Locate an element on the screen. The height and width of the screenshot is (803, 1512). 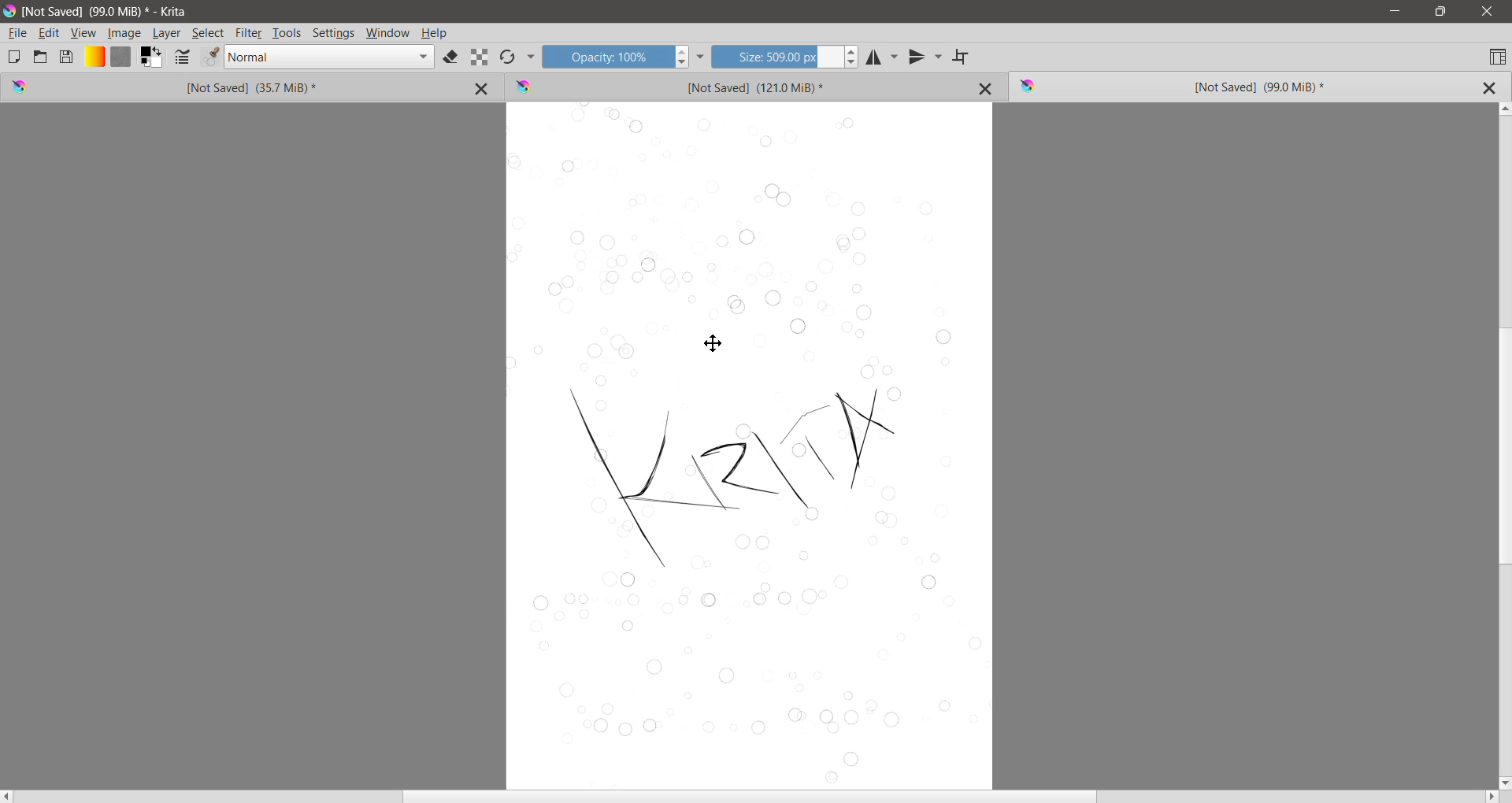
Fie Title, Size - Application Name is located at coordinates (109, 12).